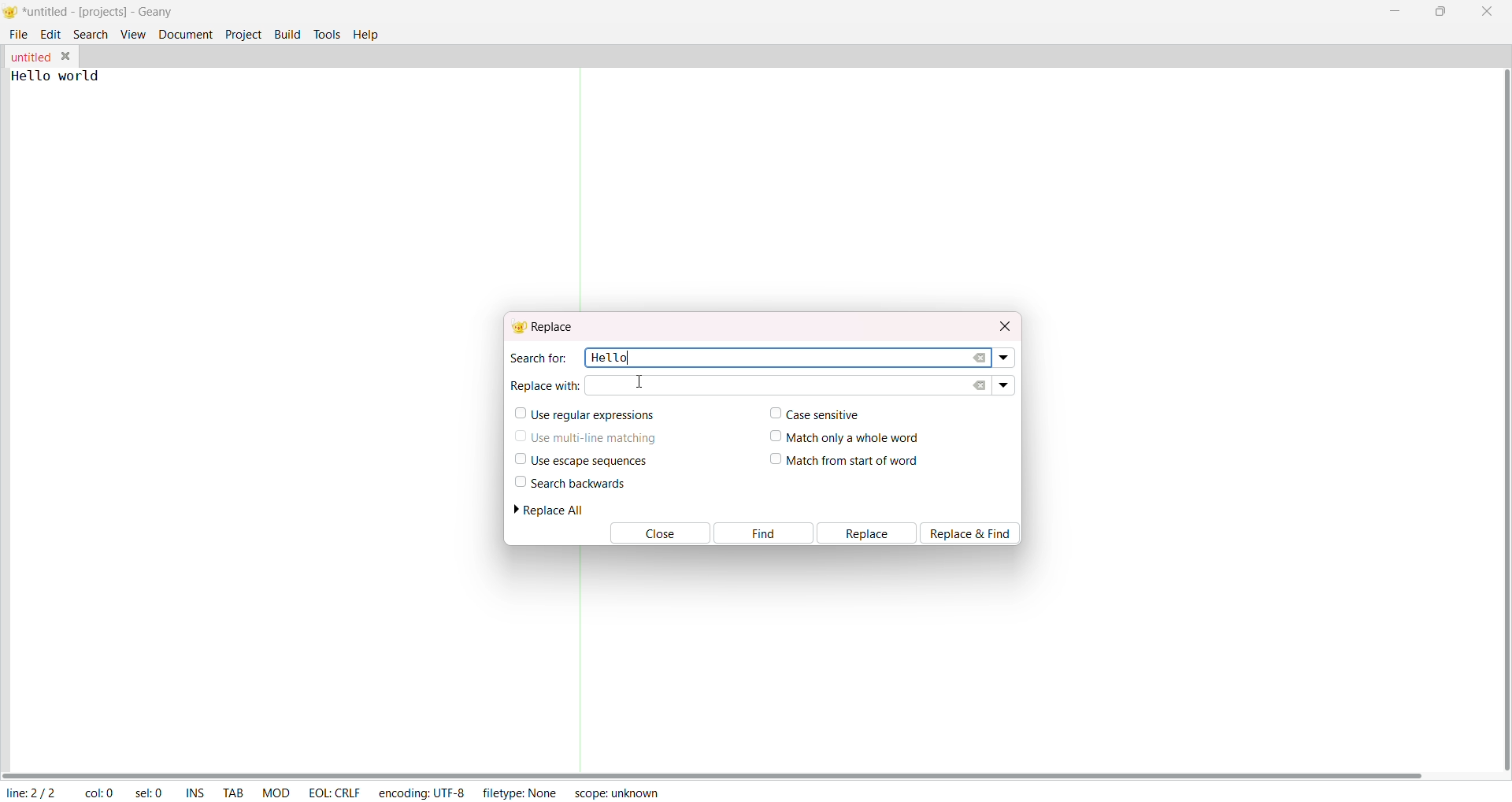 This screenshot has width=1512, height=802. Describe the element at coordinates (545, 384) in the screenshot. I see `replace with` at that location.